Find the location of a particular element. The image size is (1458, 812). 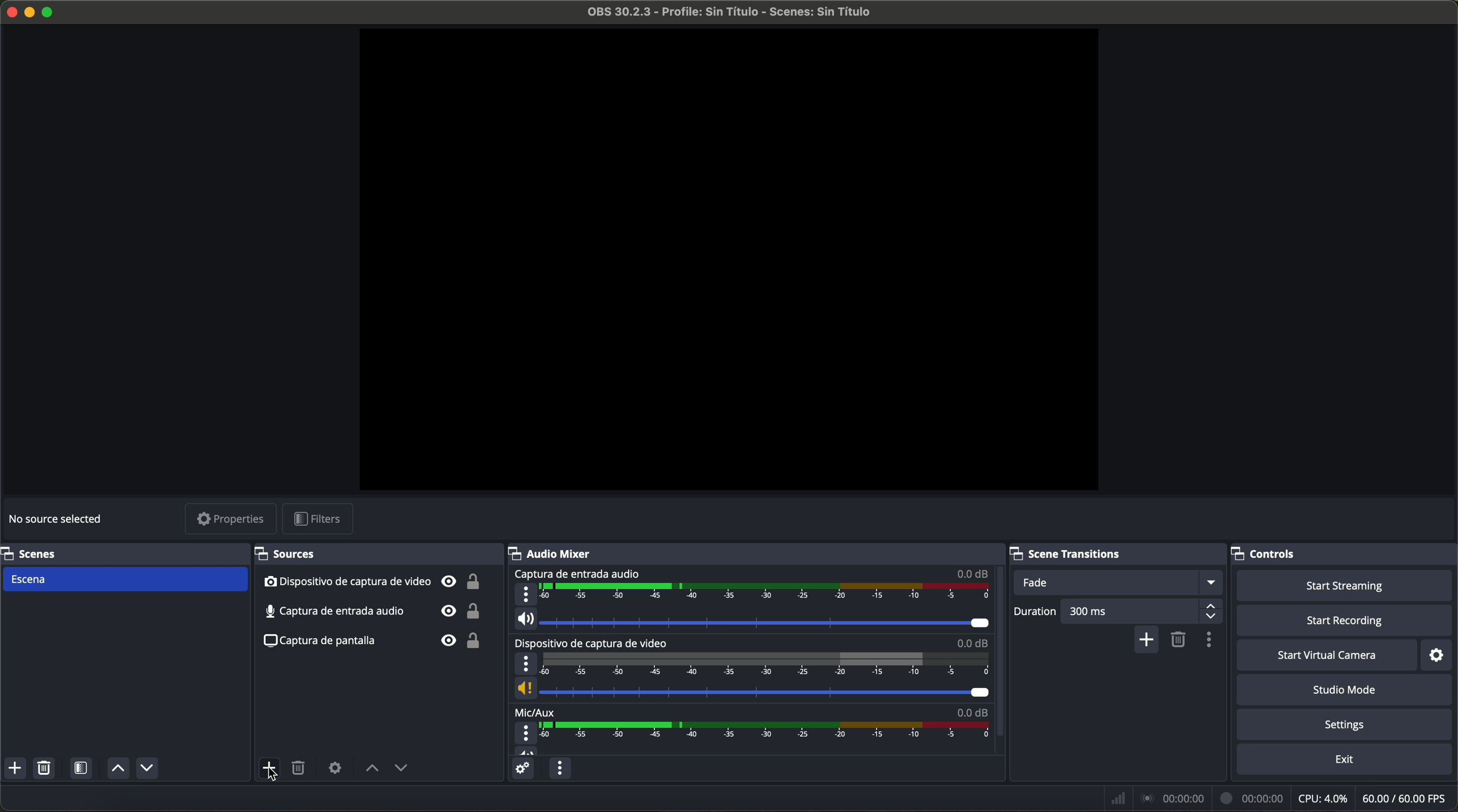

video capture device is located at coordinates (372, 583).